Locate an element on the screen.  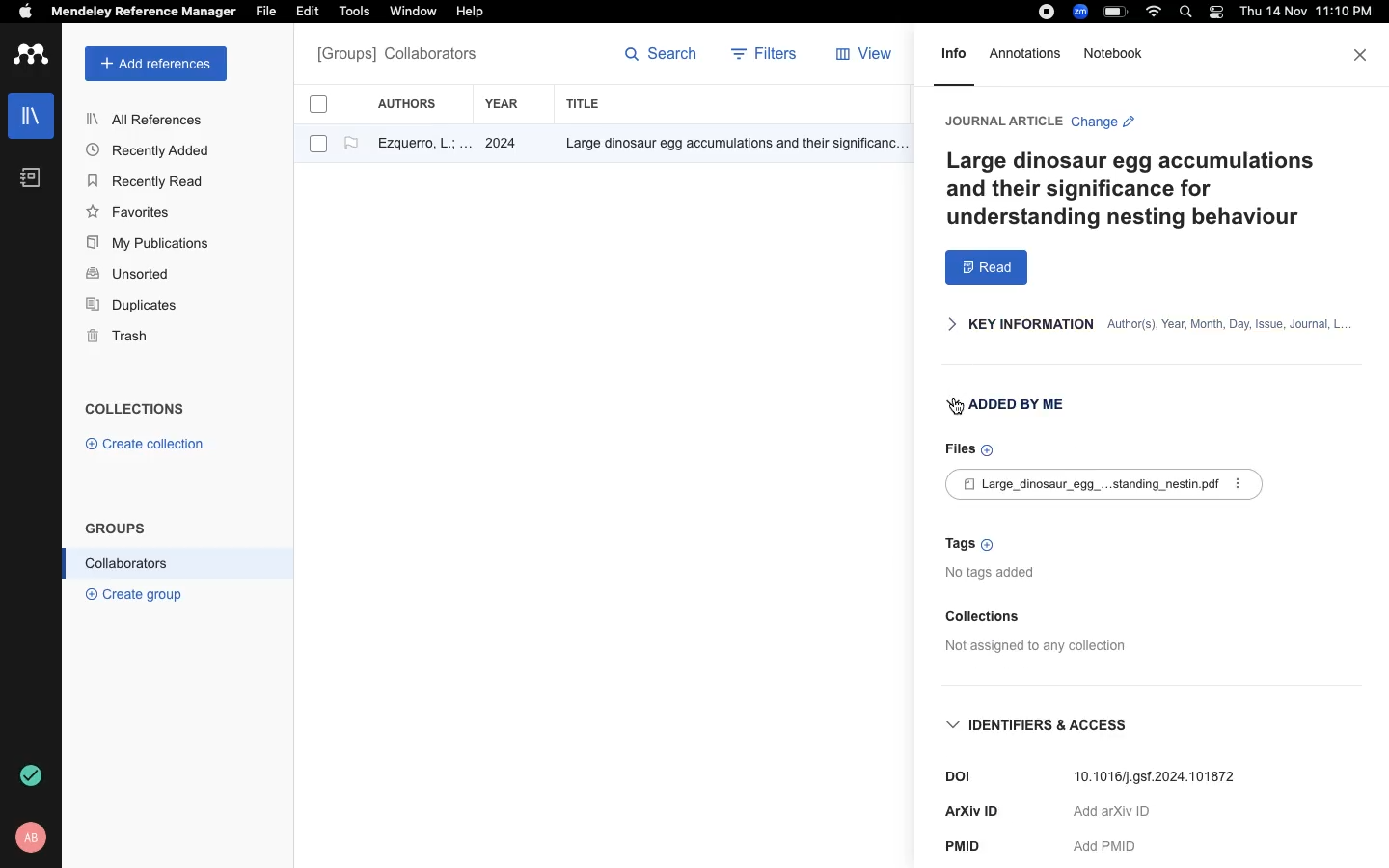
no tags added is located at coordinates (998, 576).